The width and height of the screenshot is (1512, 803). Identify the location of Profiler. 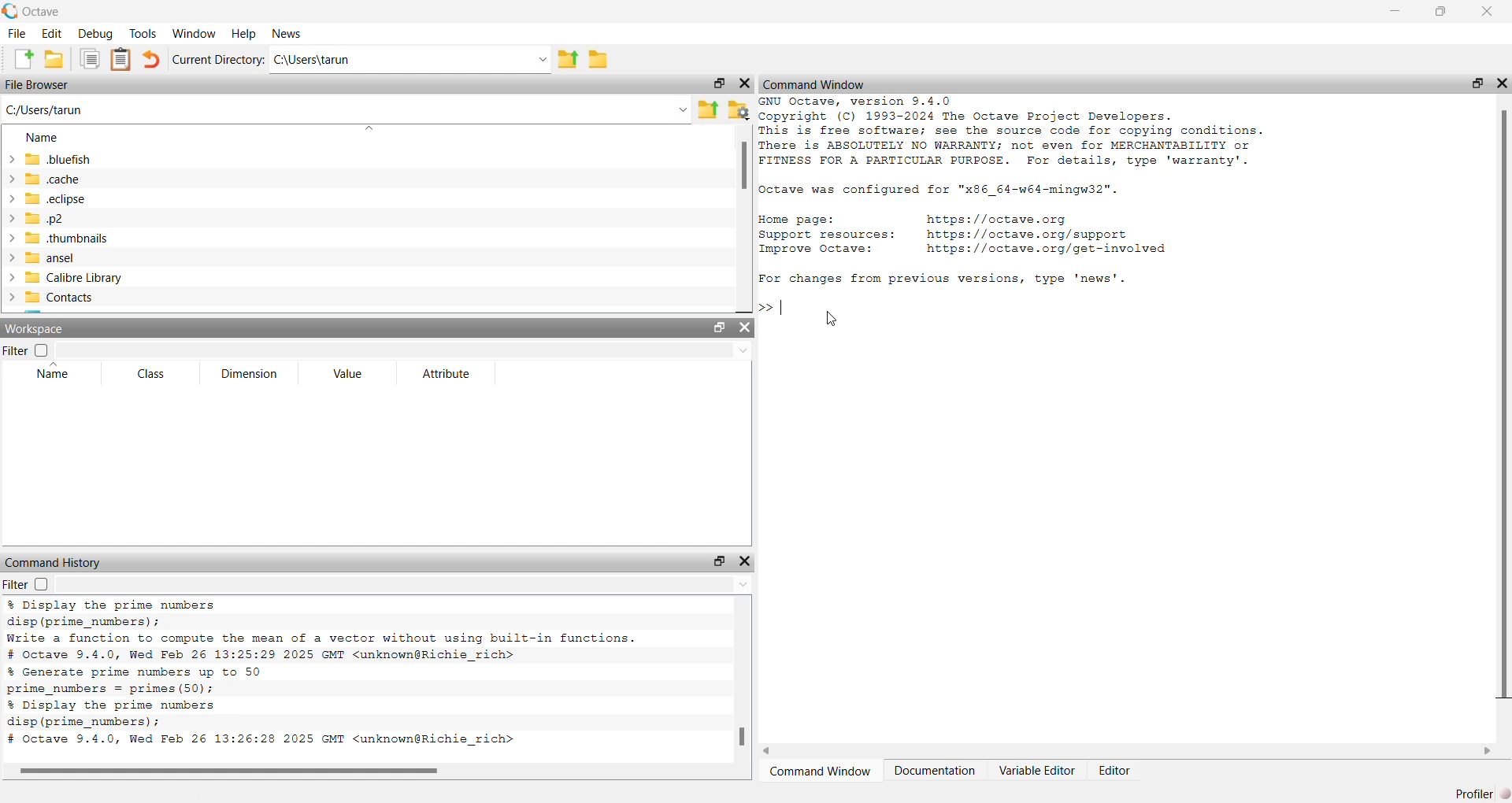
(1483, 794).